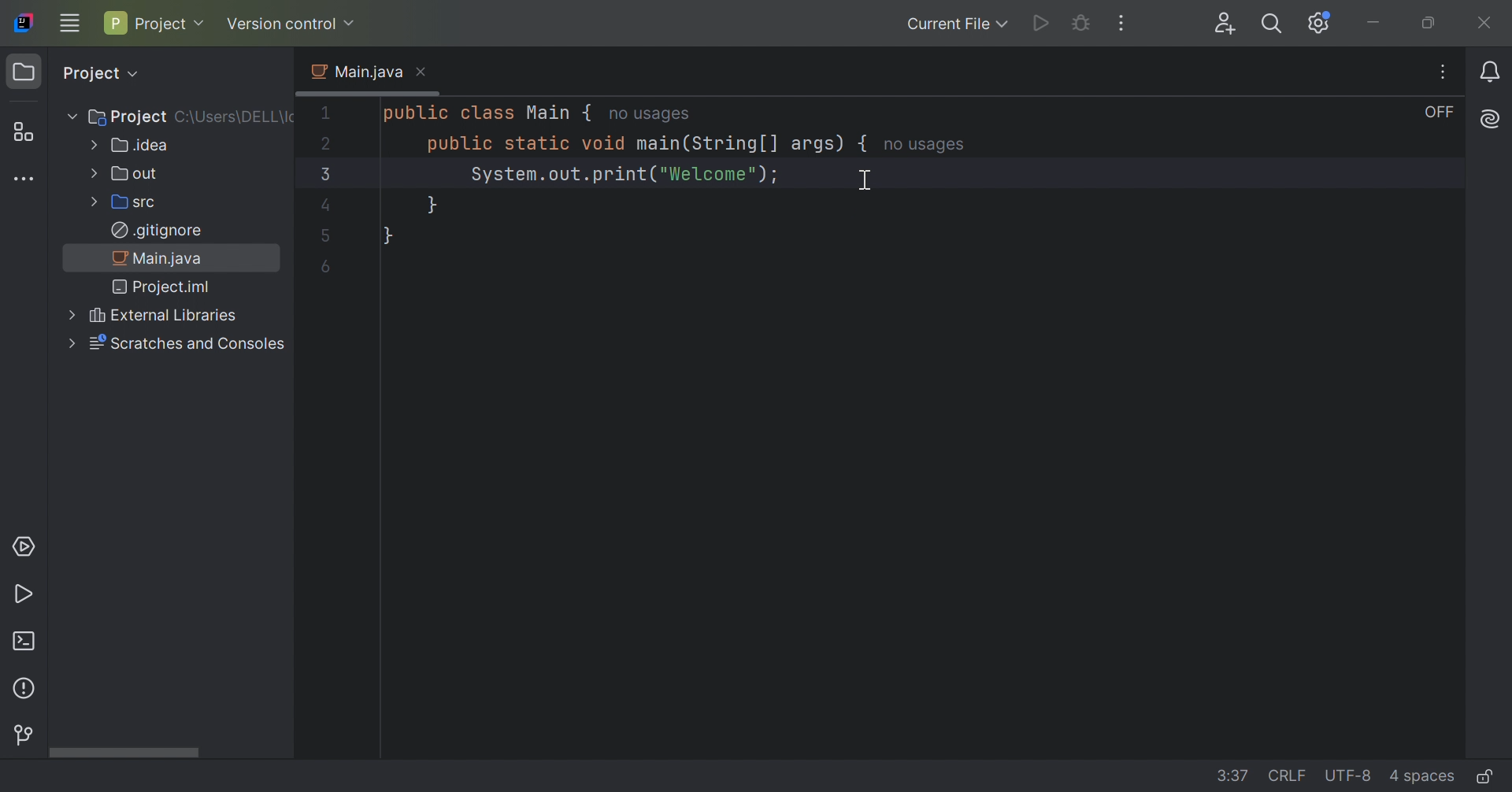  Describe the element at coordinates (1492, 120) in the screenshot. I see `AI Assistance` at that location.